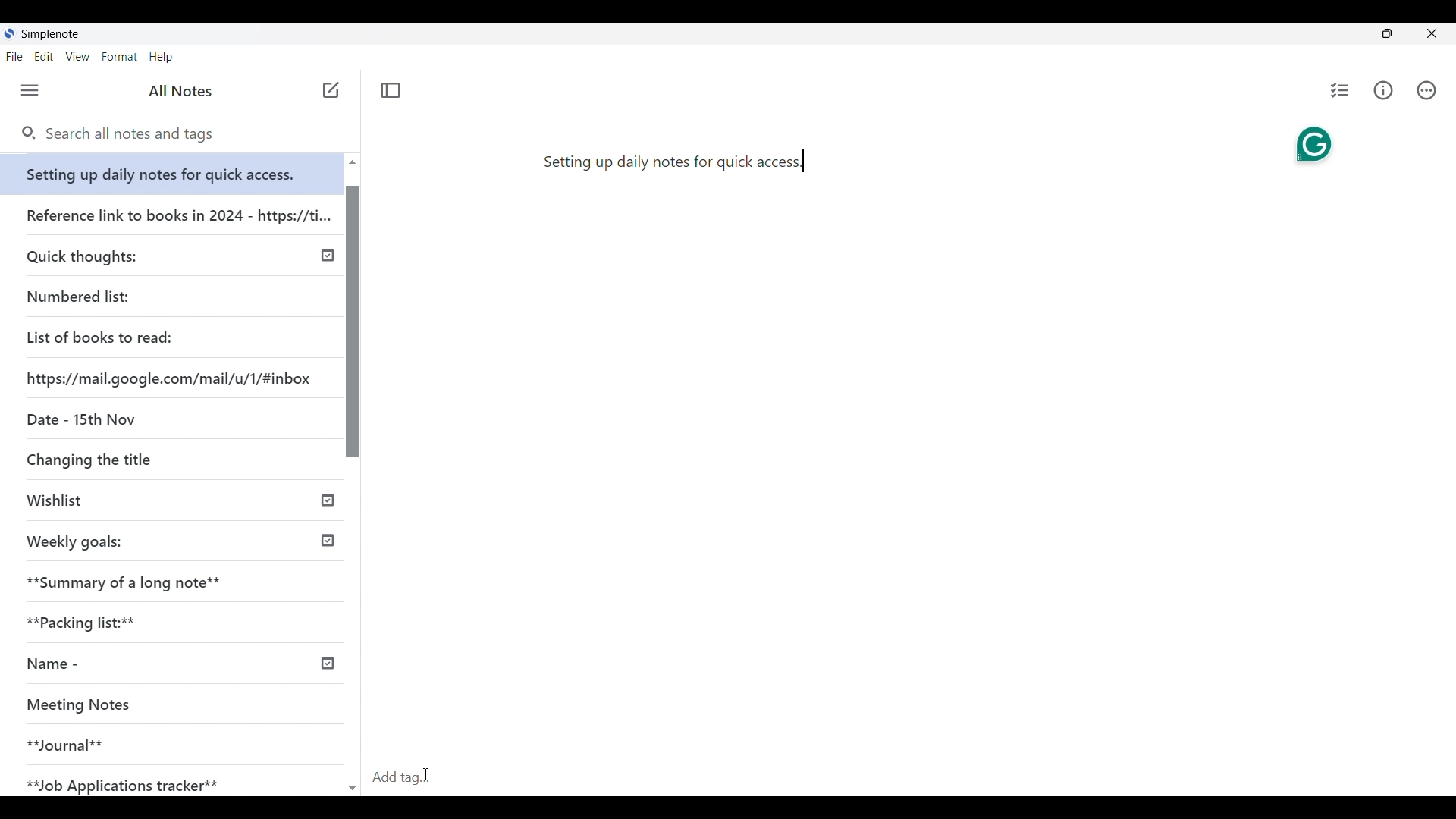 The height and width of the screenshot is (819, 1456). I want to click on Journal, so click(151, 739).